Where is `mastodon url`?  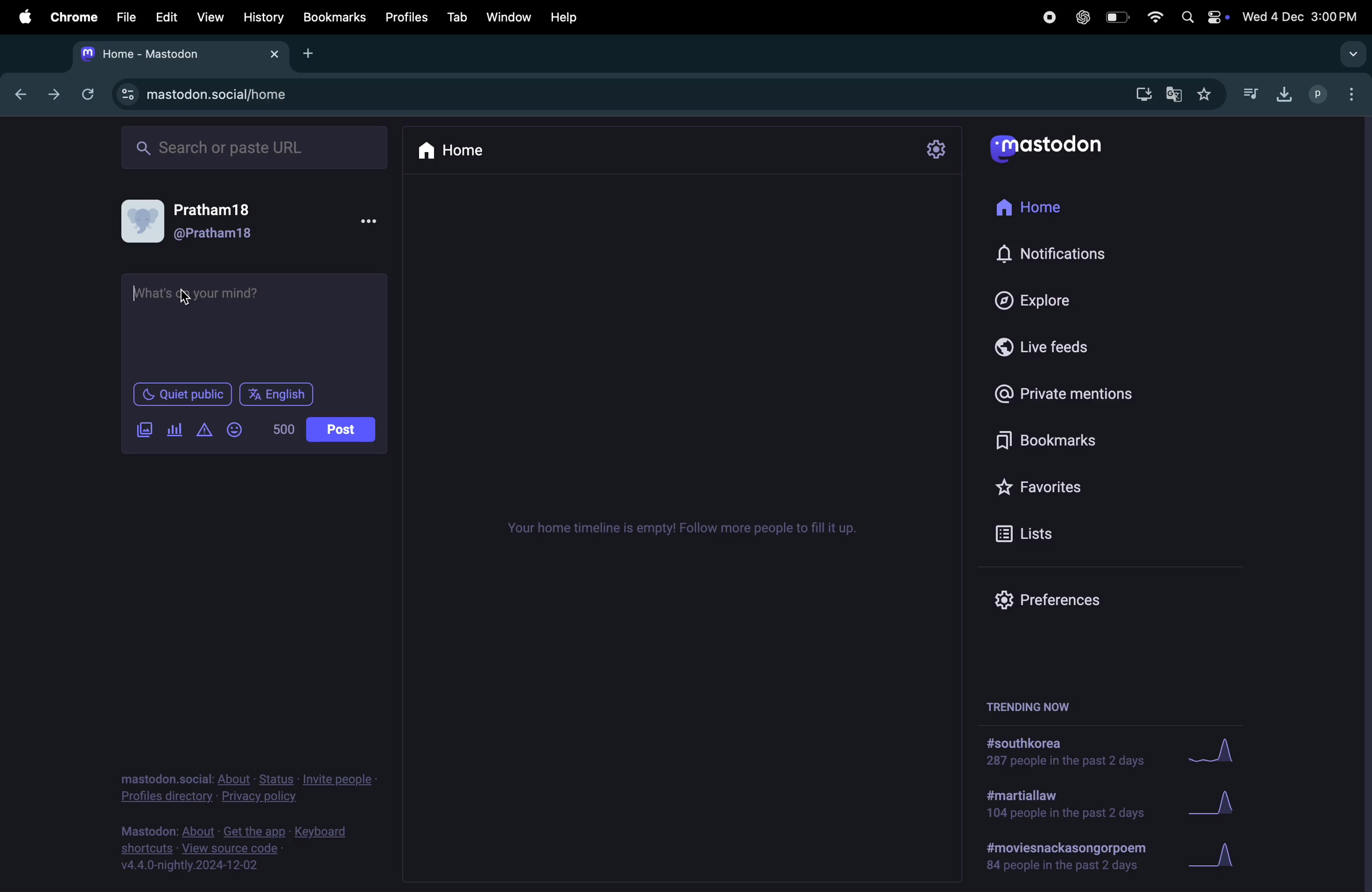 mastodon url is located at coordinates (224, 94).